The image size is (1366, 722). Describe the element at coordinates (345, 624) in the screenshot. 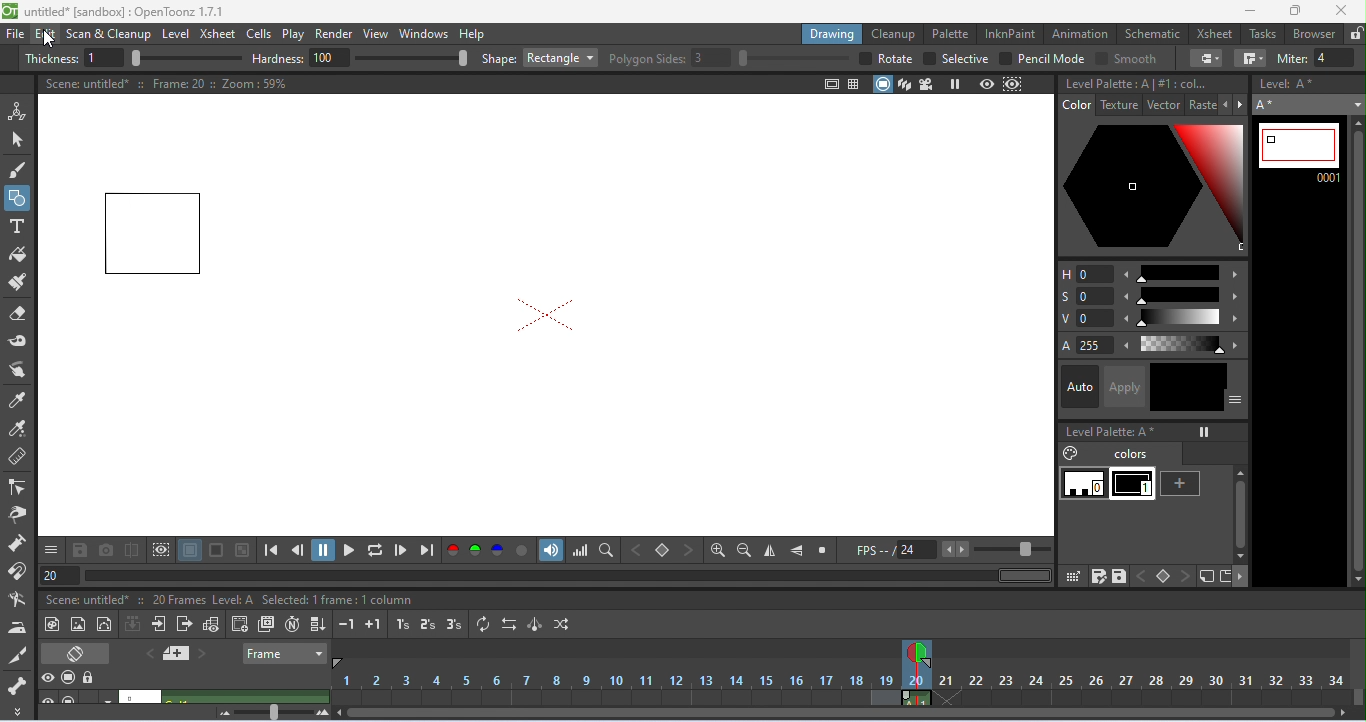

I see `decrease step` at that location.